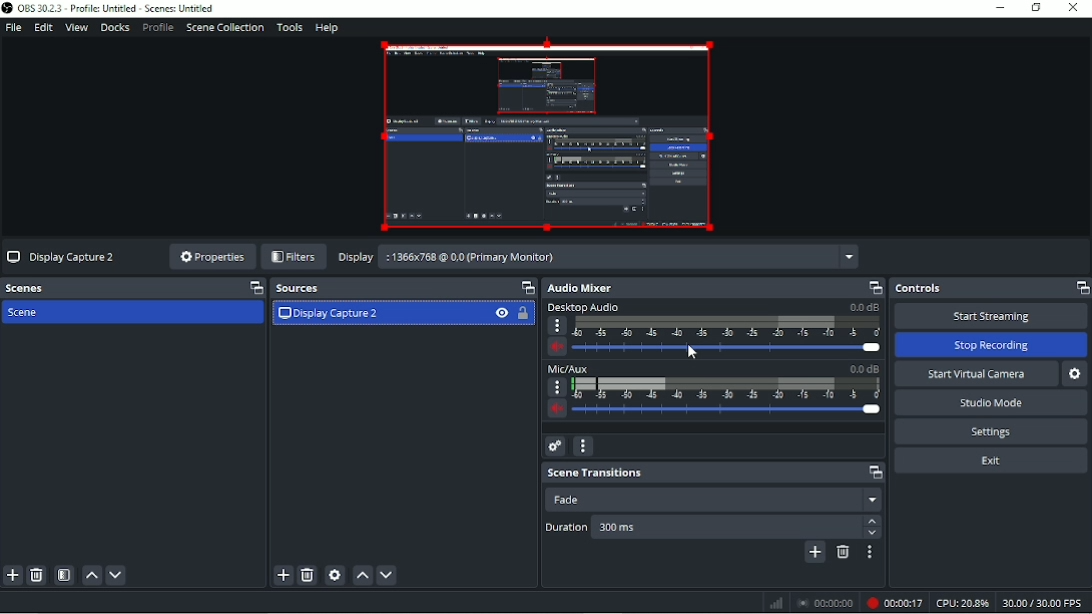 Image resolution: width=1092 pixels, height=614 pixels. I want to click on Mic/AUX slider, so click(713, 393).